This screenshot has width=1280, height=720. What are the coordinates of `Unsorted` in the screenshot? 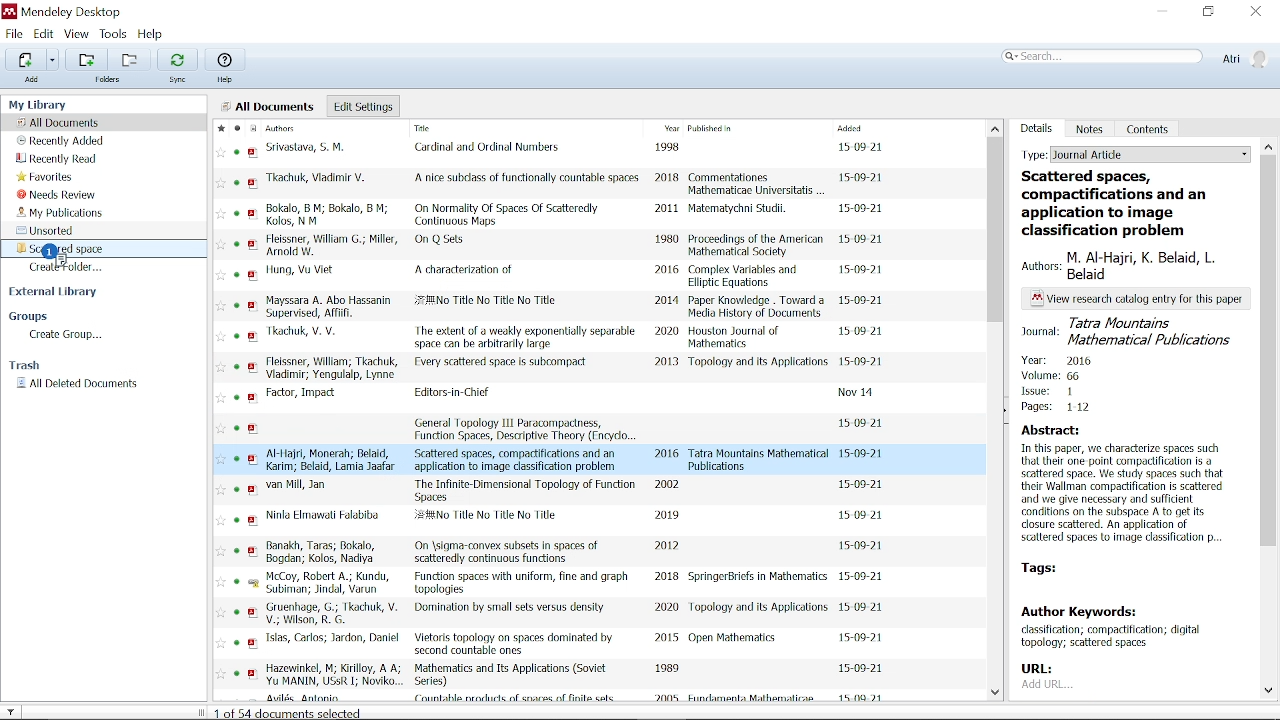 It's located at (50, 230).